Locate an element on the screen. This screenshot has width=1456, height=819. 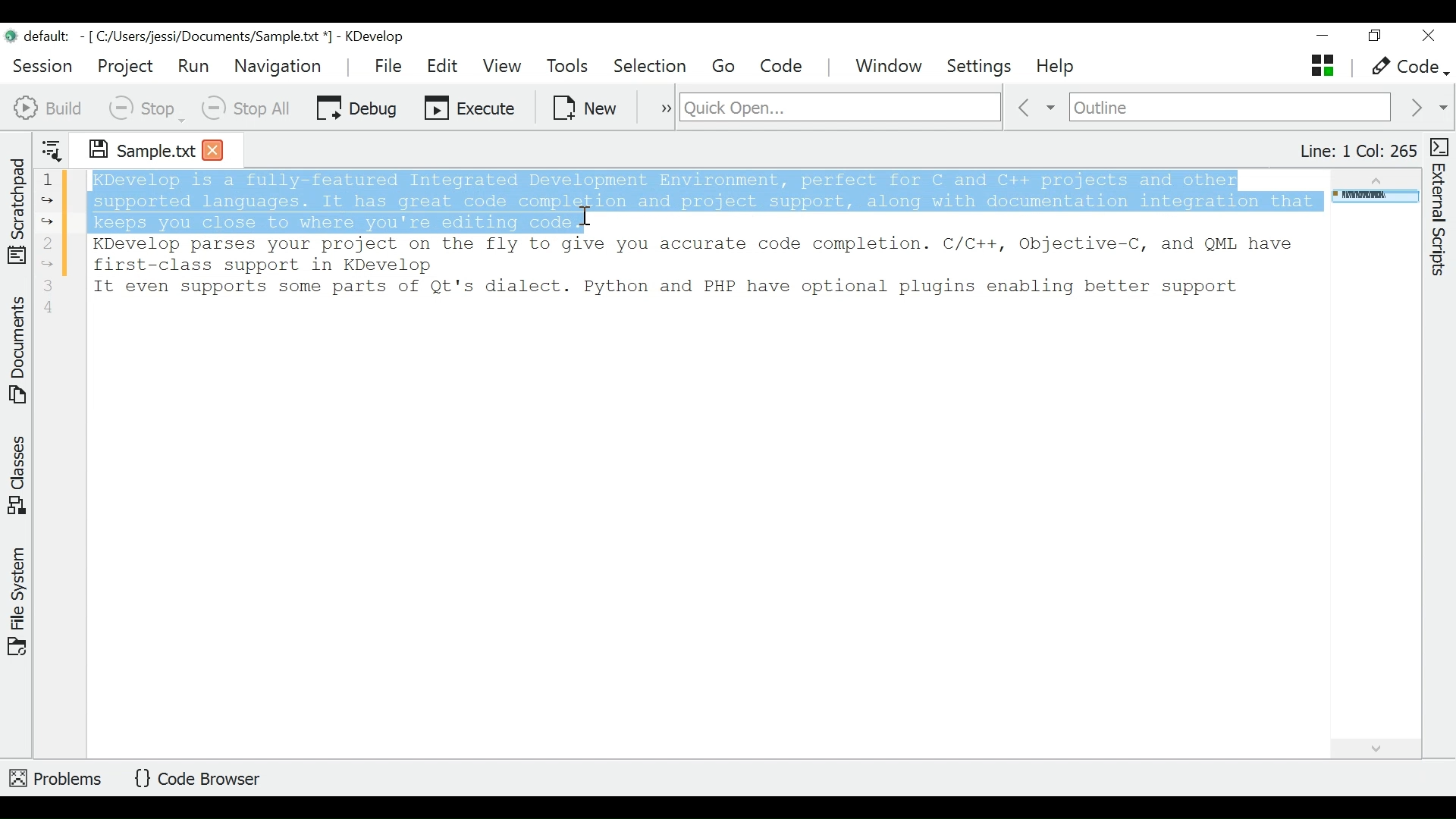
Stack (Opens and activates the documet) is located at coordinates (1321, 65).